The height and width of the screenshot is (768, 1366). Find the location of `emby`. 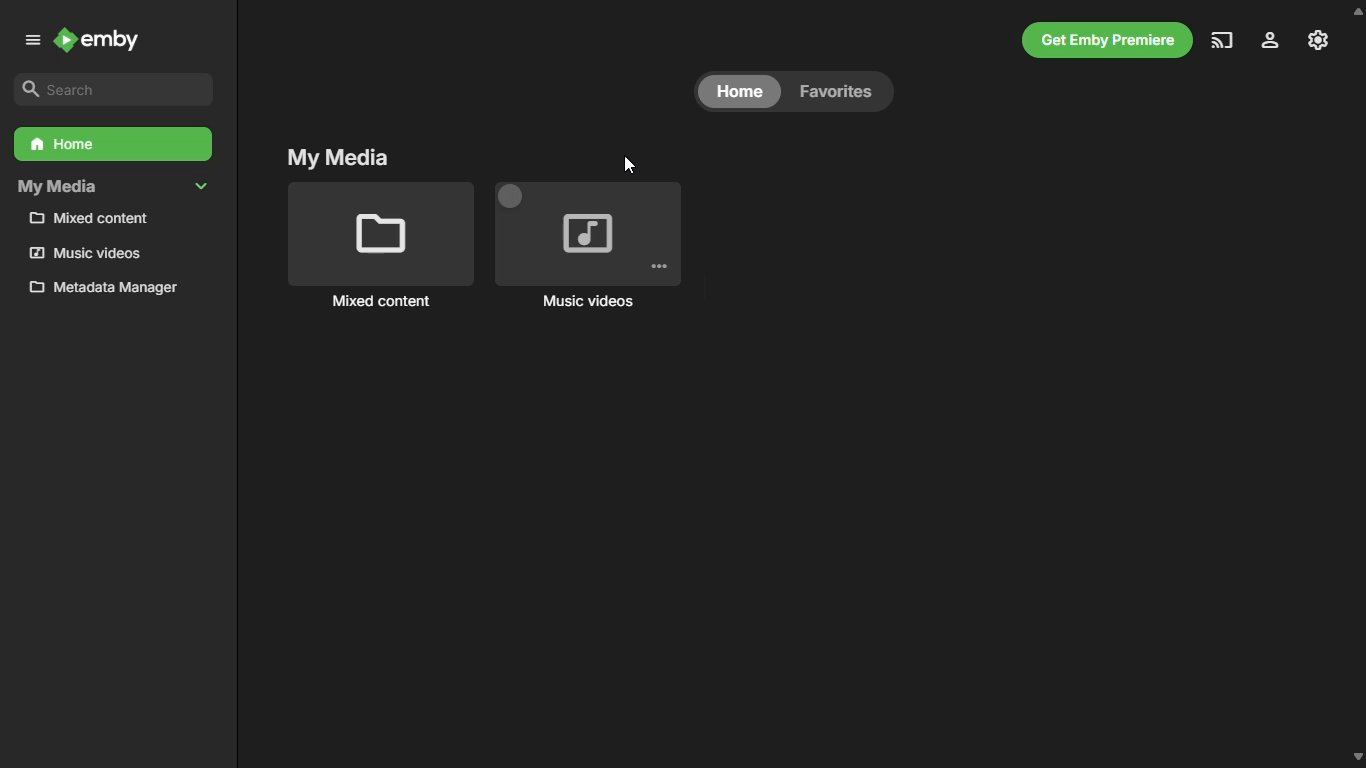

emby is located at coordinates (97, 41).